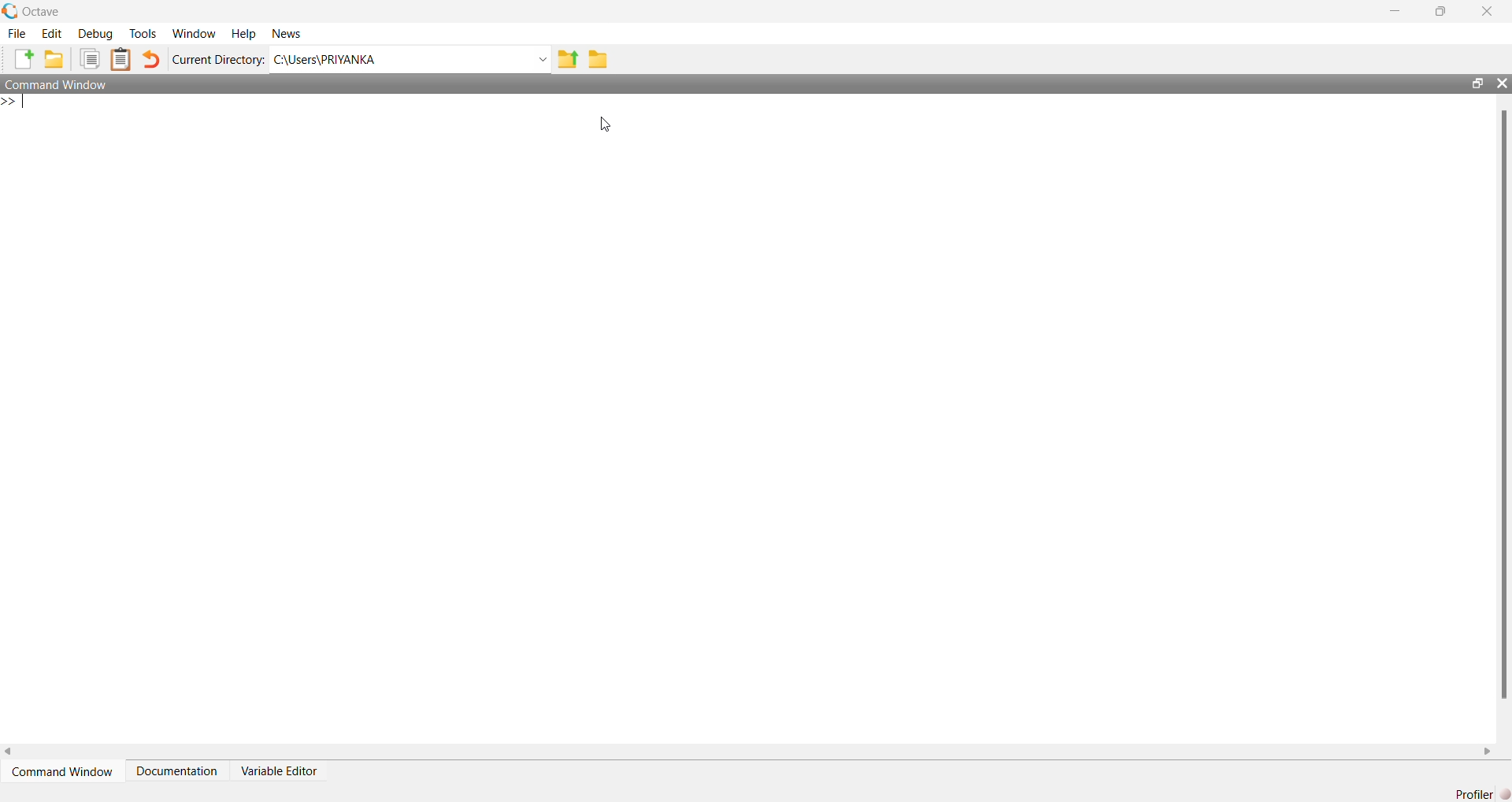 The image size is (1512, 802). Describe the element at coordinates (1502, 83) in the screenshot. I see `close` at that location.